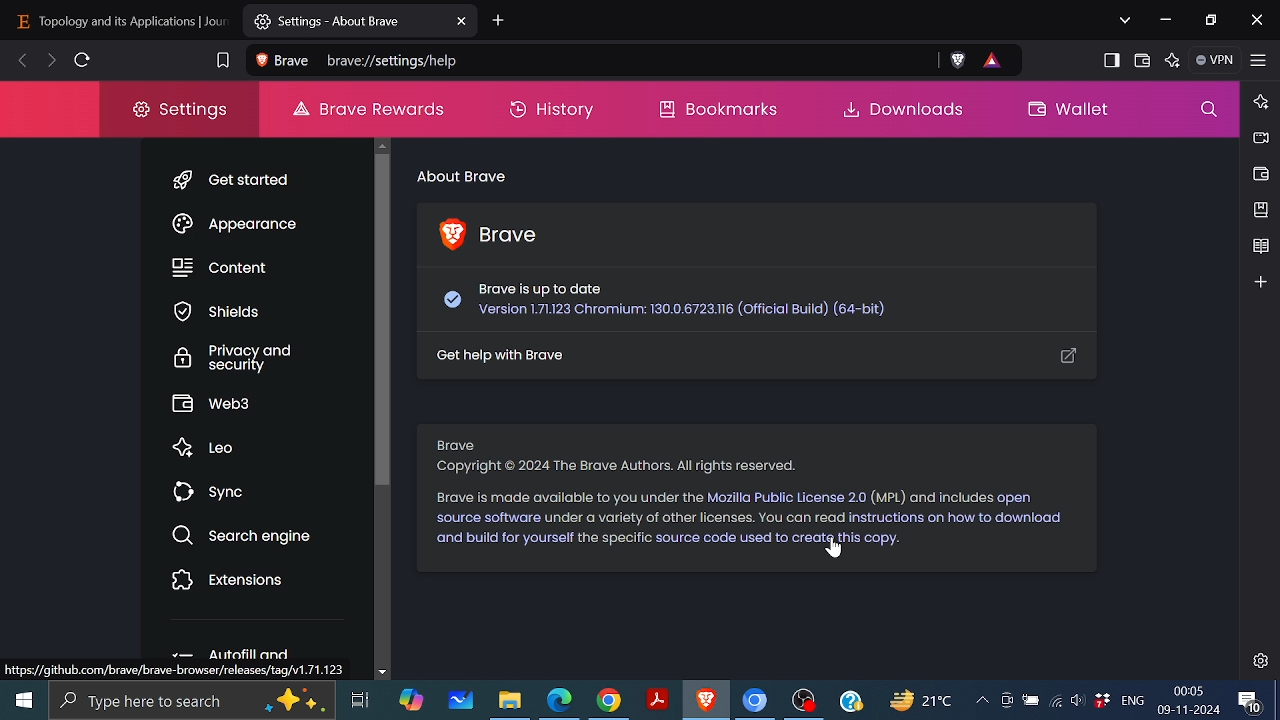 This screenshot has width=1280, height=720. What do you see at coordinates (1208, 113) in the screenshot?
I see `search` at bounding box center [1208, 113].